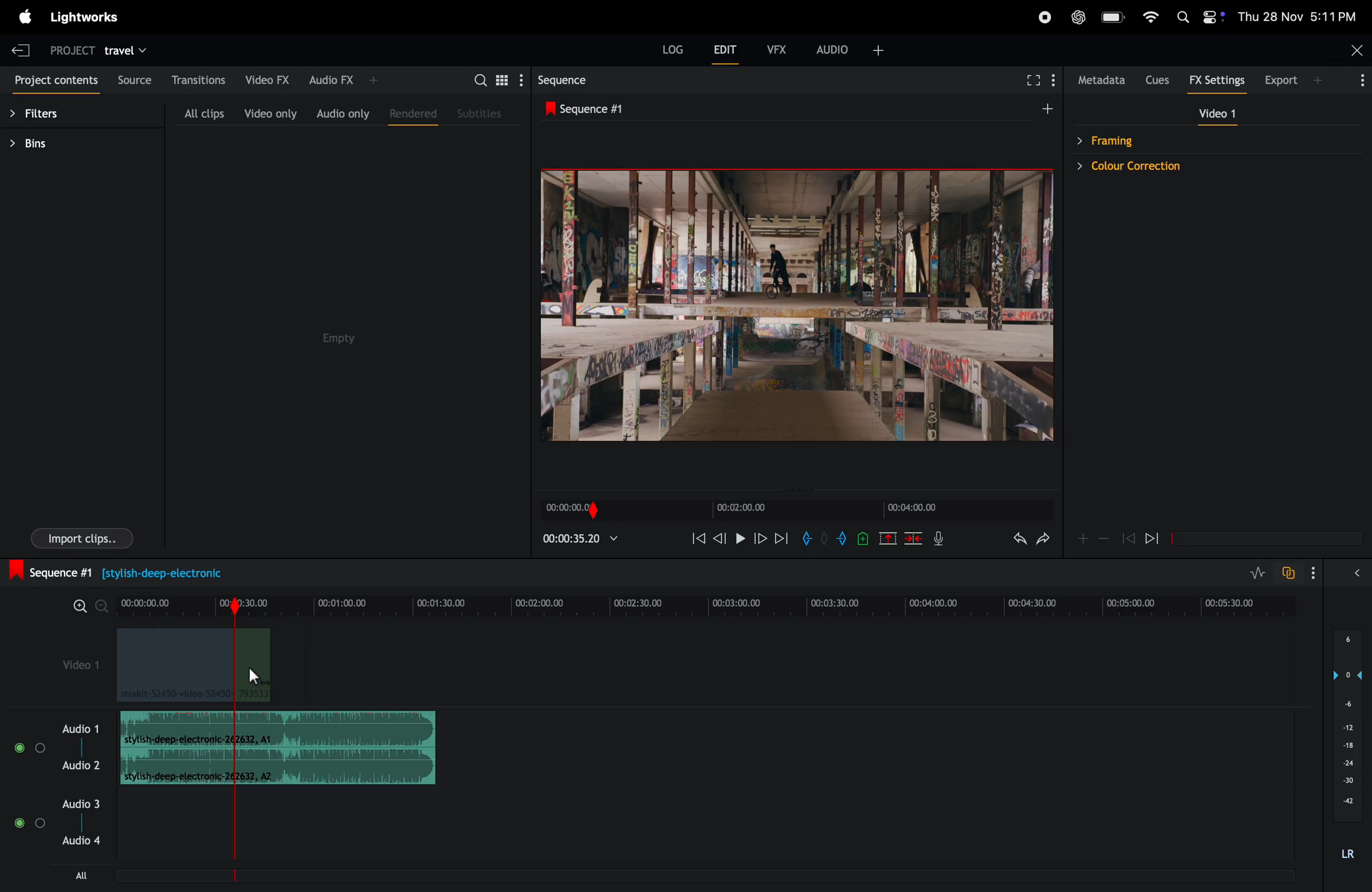 Image resolution: width=1372 pixels, height=892 pixels. What do you see at coordinates (81, 728) in the screenshot?
I see `audio 1 and 2` at bounding box center [81, 728].